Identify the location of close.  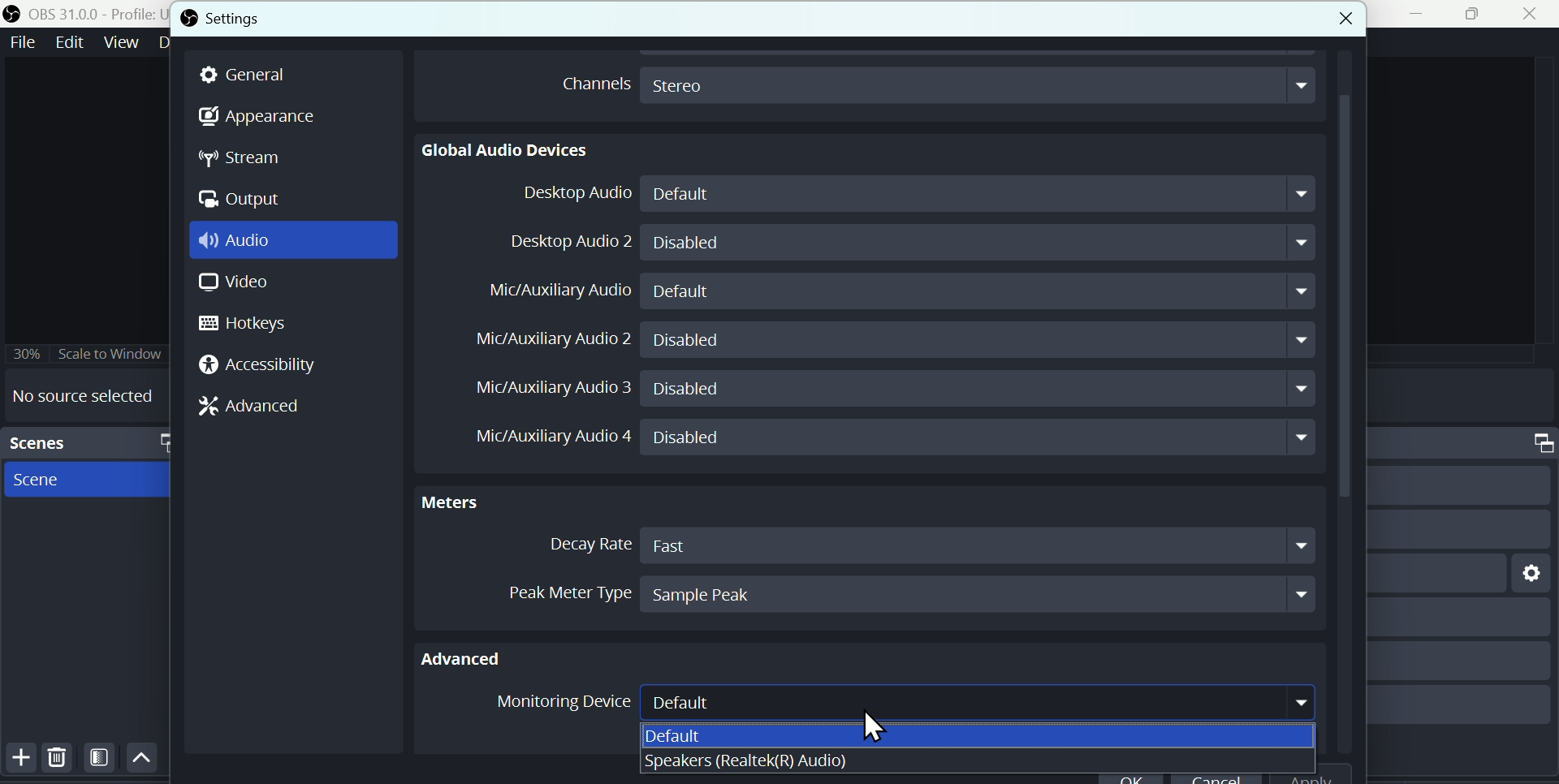
(1328, 15).